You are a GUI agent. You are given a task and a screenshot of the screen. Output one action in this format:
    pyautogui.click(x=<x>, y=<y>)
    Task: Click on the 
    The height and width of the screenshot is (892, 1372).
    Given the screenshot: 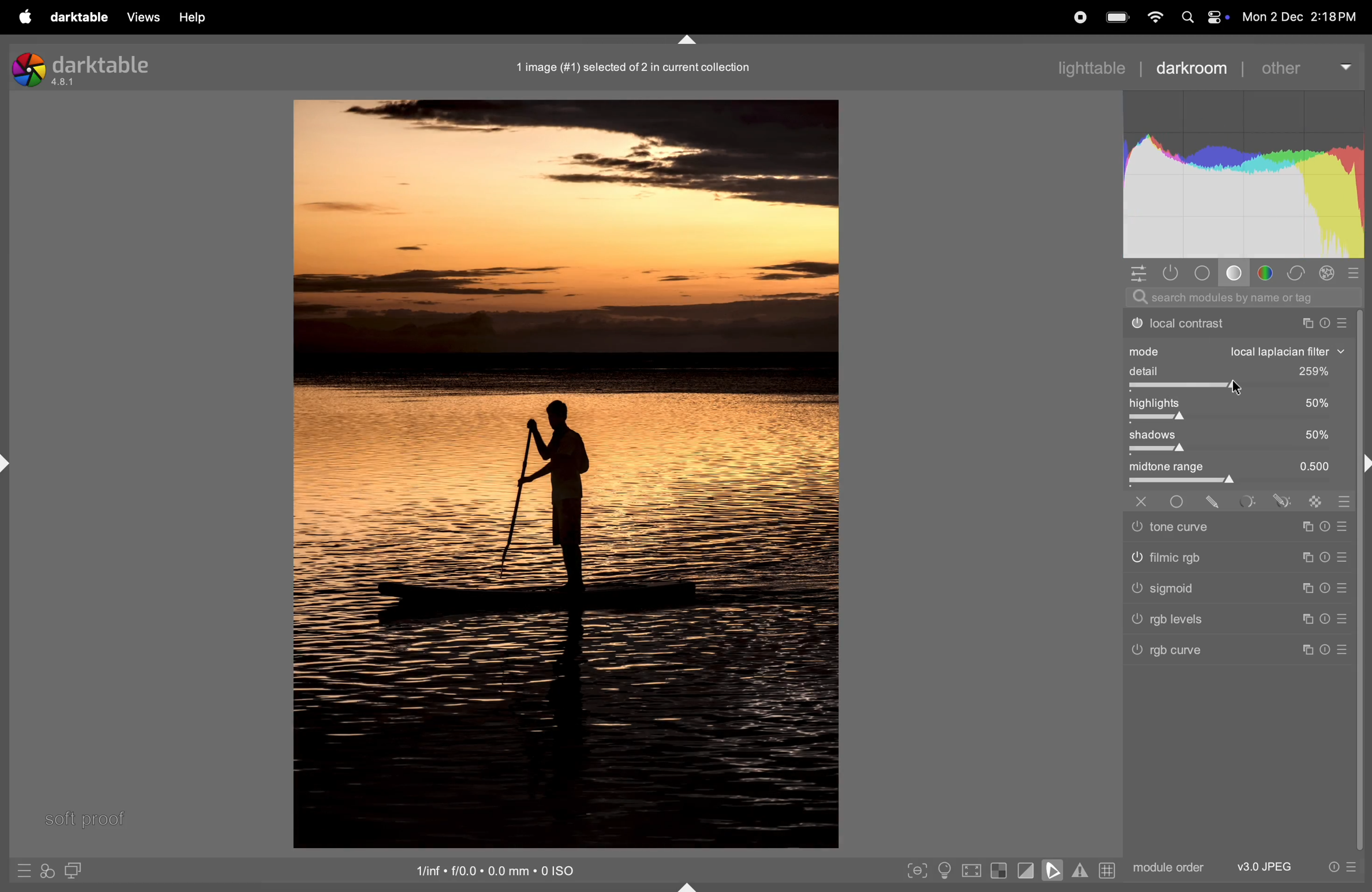 What is the action you would take?
    pyautogui.click(x=1143, y=500)
    